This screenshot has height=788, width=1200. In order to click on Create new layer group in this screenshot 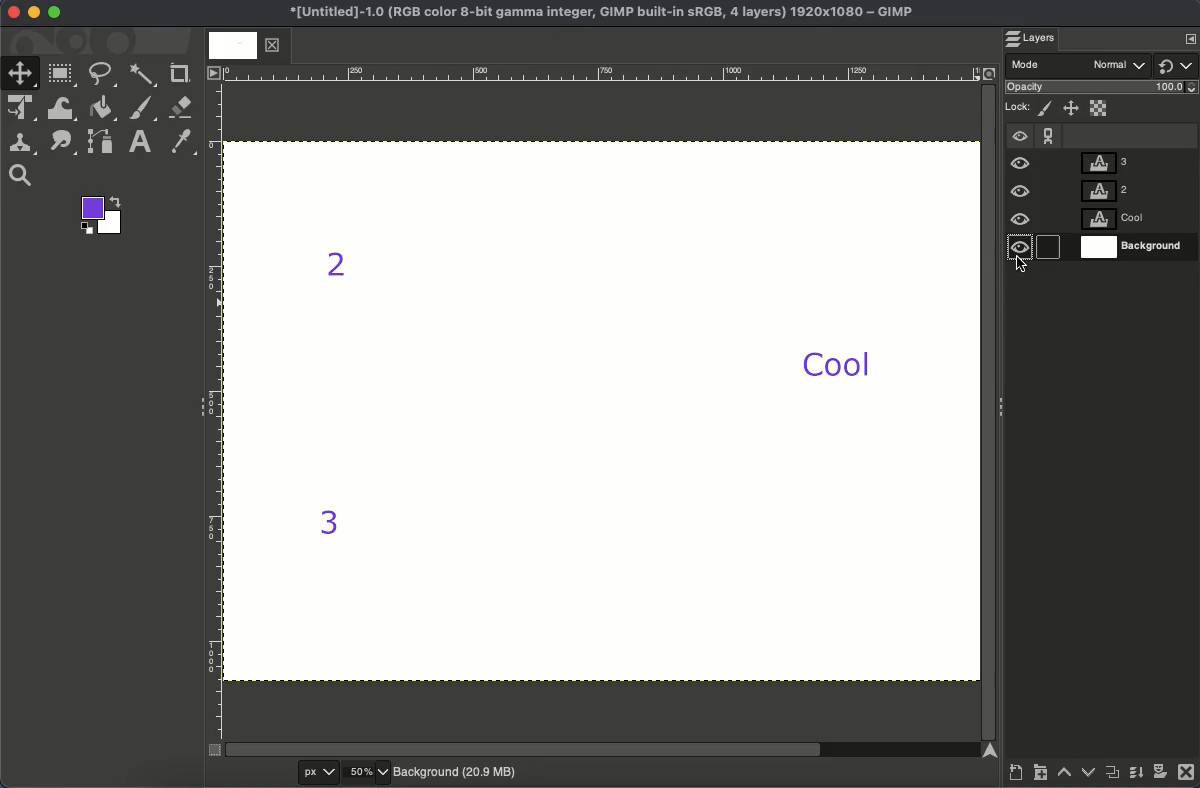, I will do `click(1041, 776)`.